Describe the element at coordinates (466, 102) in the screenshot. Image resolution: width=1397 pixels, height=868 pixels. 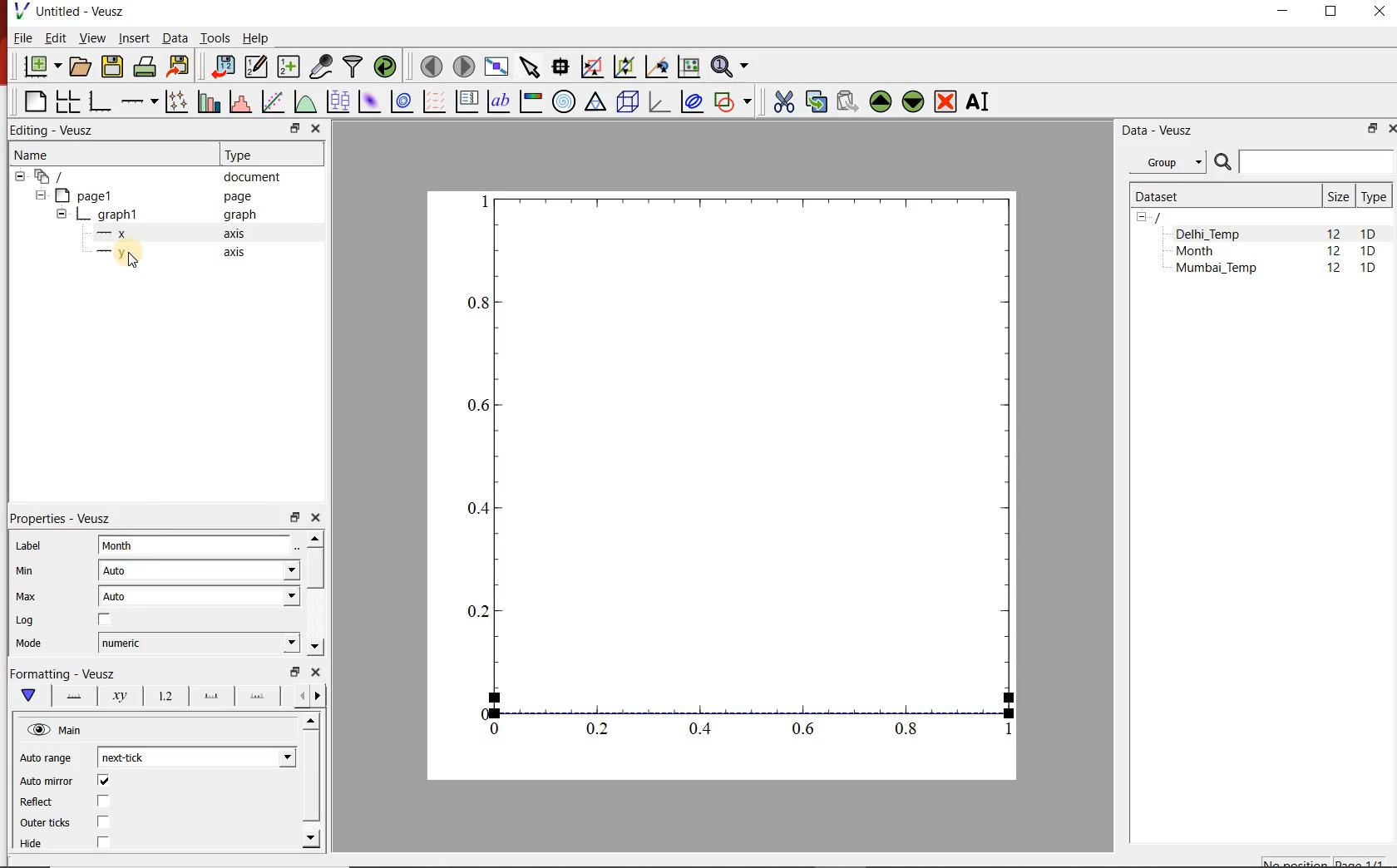
I see `plot key` at that location.